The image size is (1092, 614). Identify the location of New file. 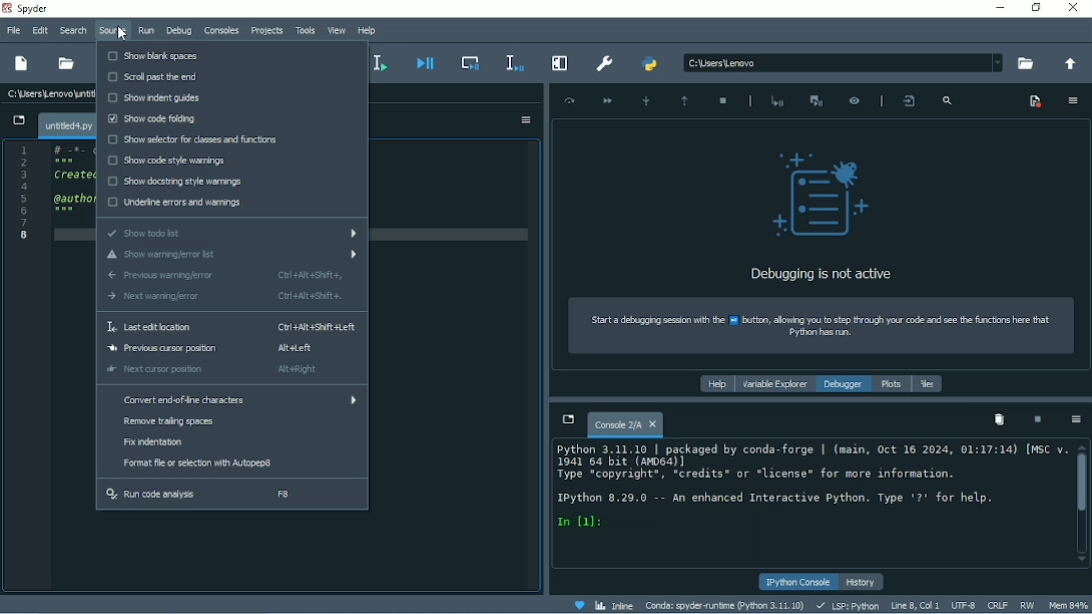
(22, 64).